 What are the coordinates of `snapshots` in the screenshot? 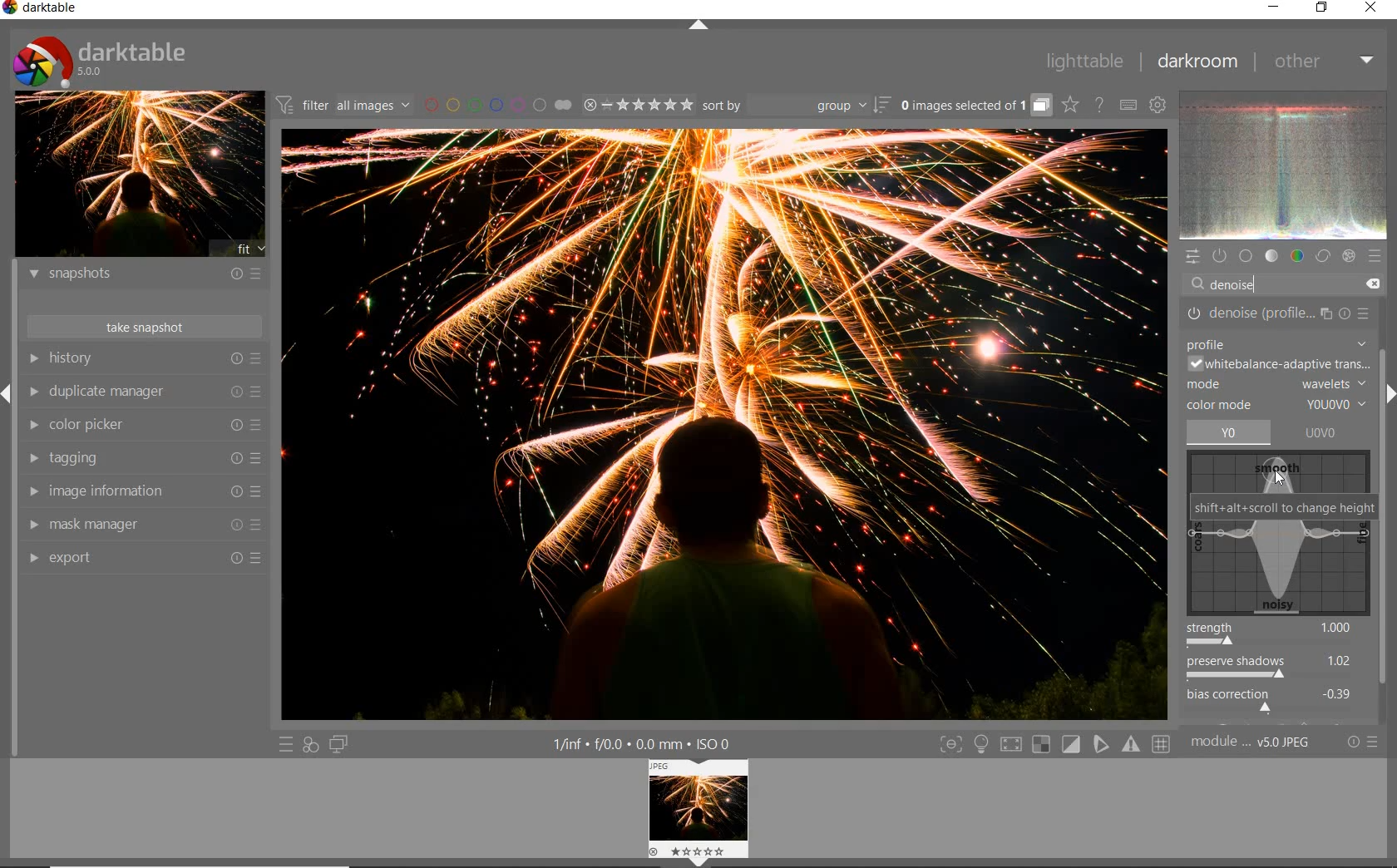 It's located at (143, 274).